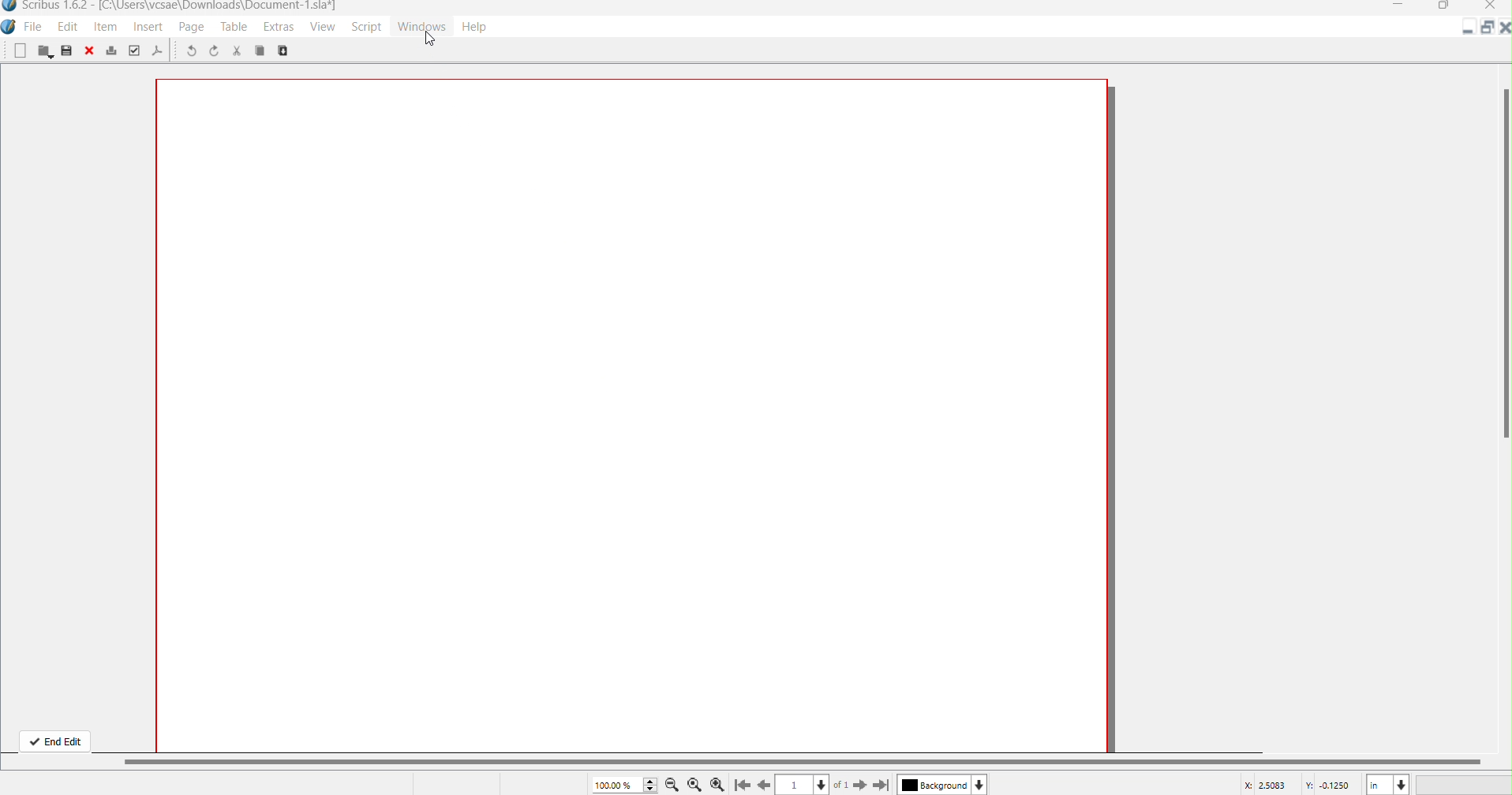 This screenshot has height=795, width=1512. What do you see at coordinates (201, 51) in the screenshot?
I see `` at bounding box center [201, 51].